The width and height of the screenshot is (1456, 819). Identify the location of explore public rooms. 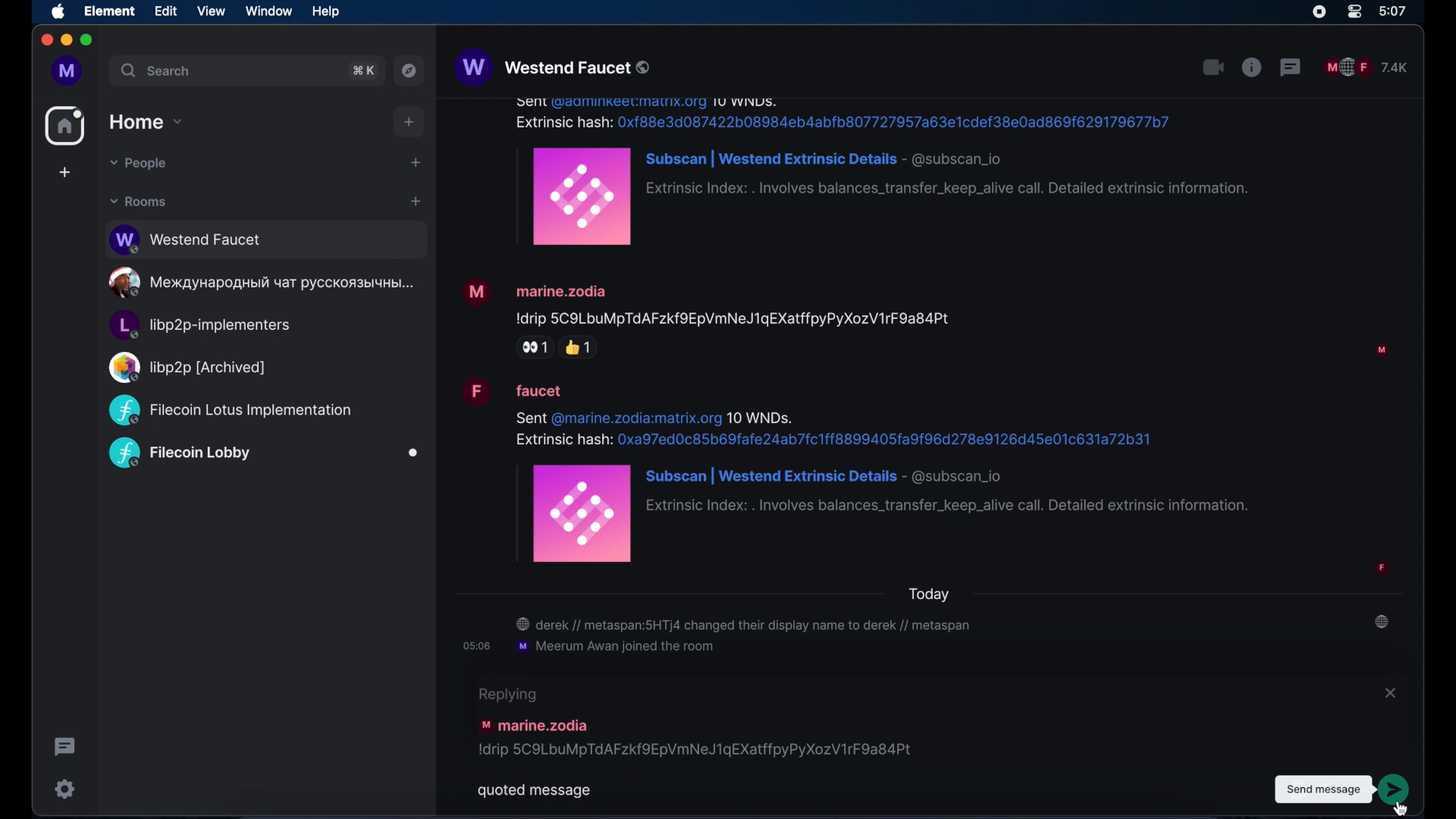
(409, 71).